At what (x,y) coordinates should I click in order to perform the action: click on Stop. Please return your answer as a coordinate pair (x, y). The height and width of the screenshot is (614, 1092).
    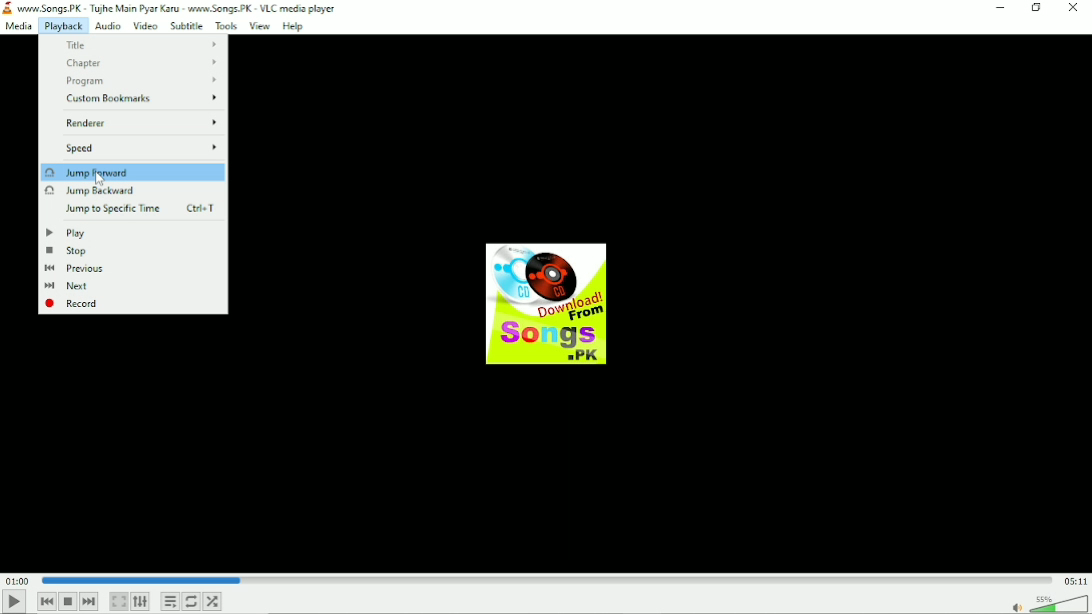
    Looking at the image, I should click on (65, 252).